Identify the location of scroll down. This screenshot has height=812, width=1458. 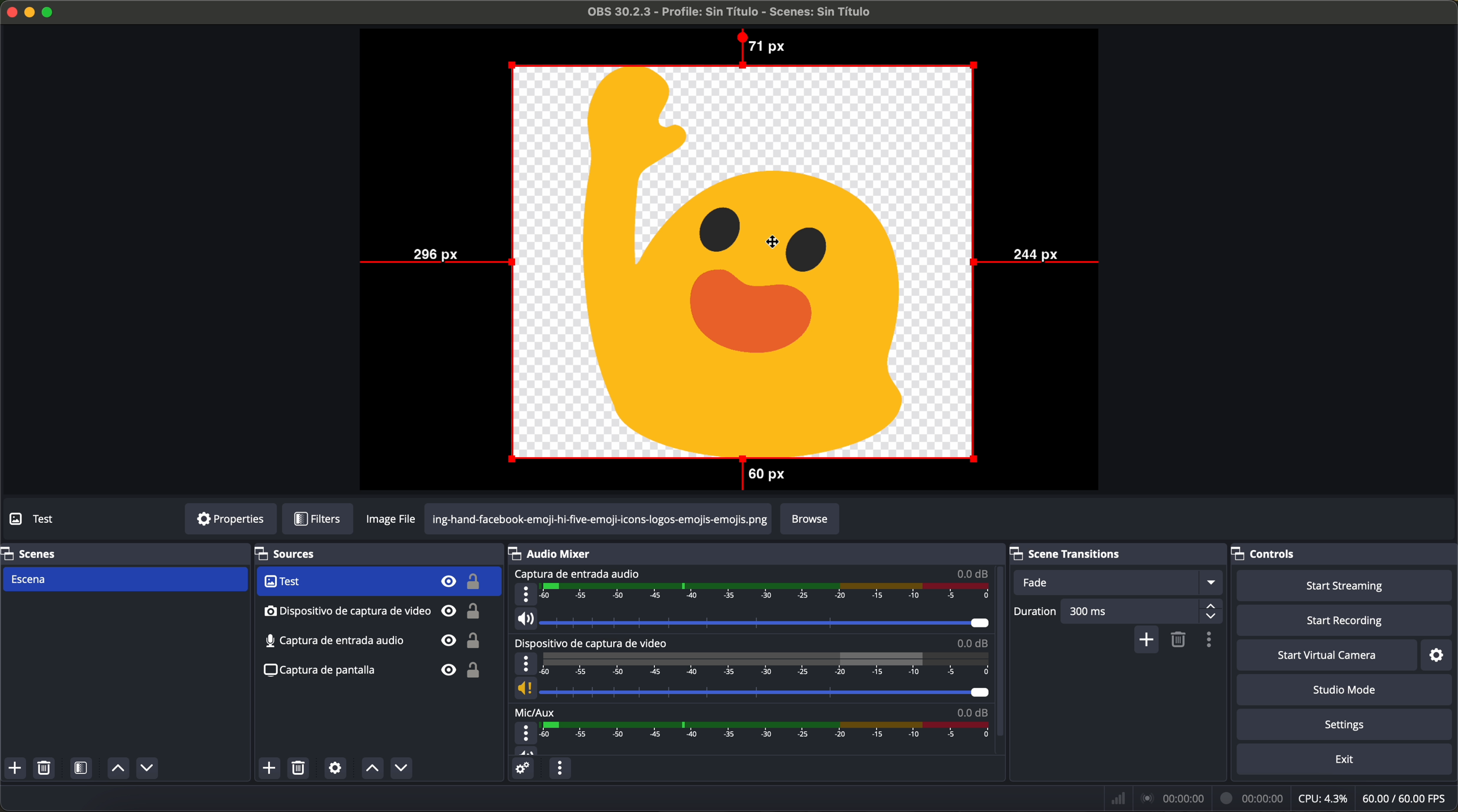
(1001, 640).